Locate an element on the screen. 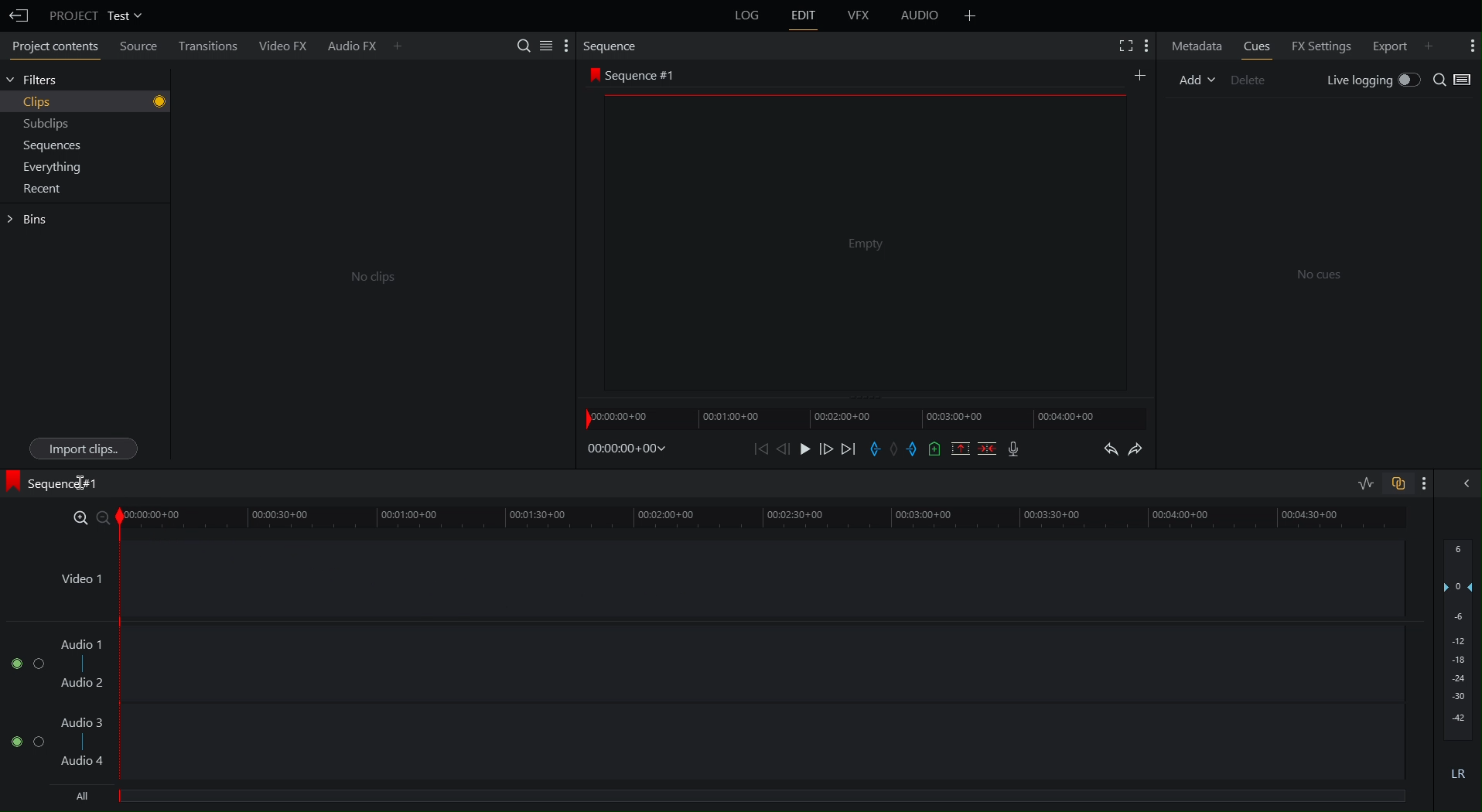 The width and height of the screenshot is (1482, 812). Audio FX is located at coordinates (364, 43).